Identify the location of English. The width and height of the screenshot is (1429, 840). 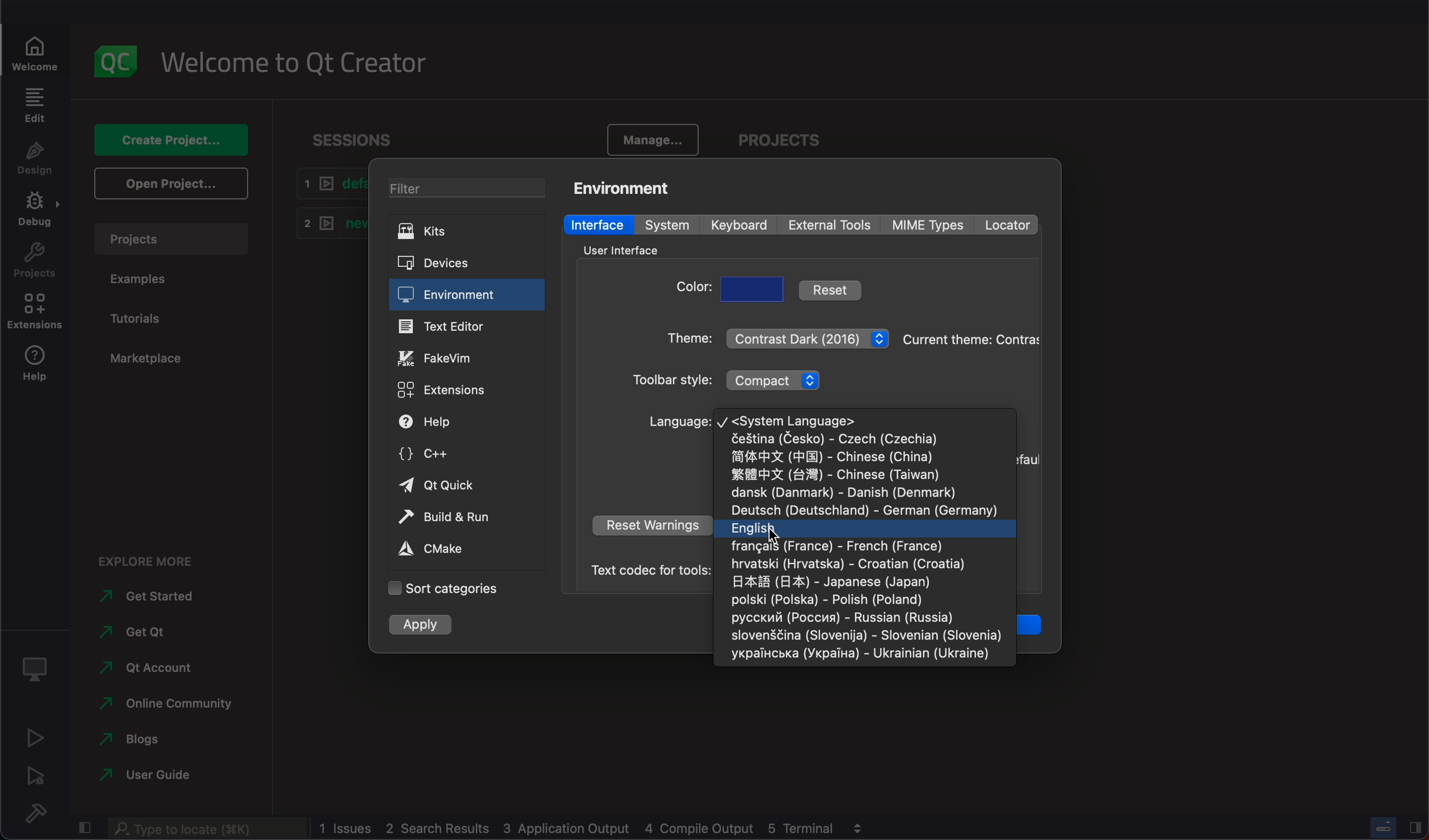
(866, 530).